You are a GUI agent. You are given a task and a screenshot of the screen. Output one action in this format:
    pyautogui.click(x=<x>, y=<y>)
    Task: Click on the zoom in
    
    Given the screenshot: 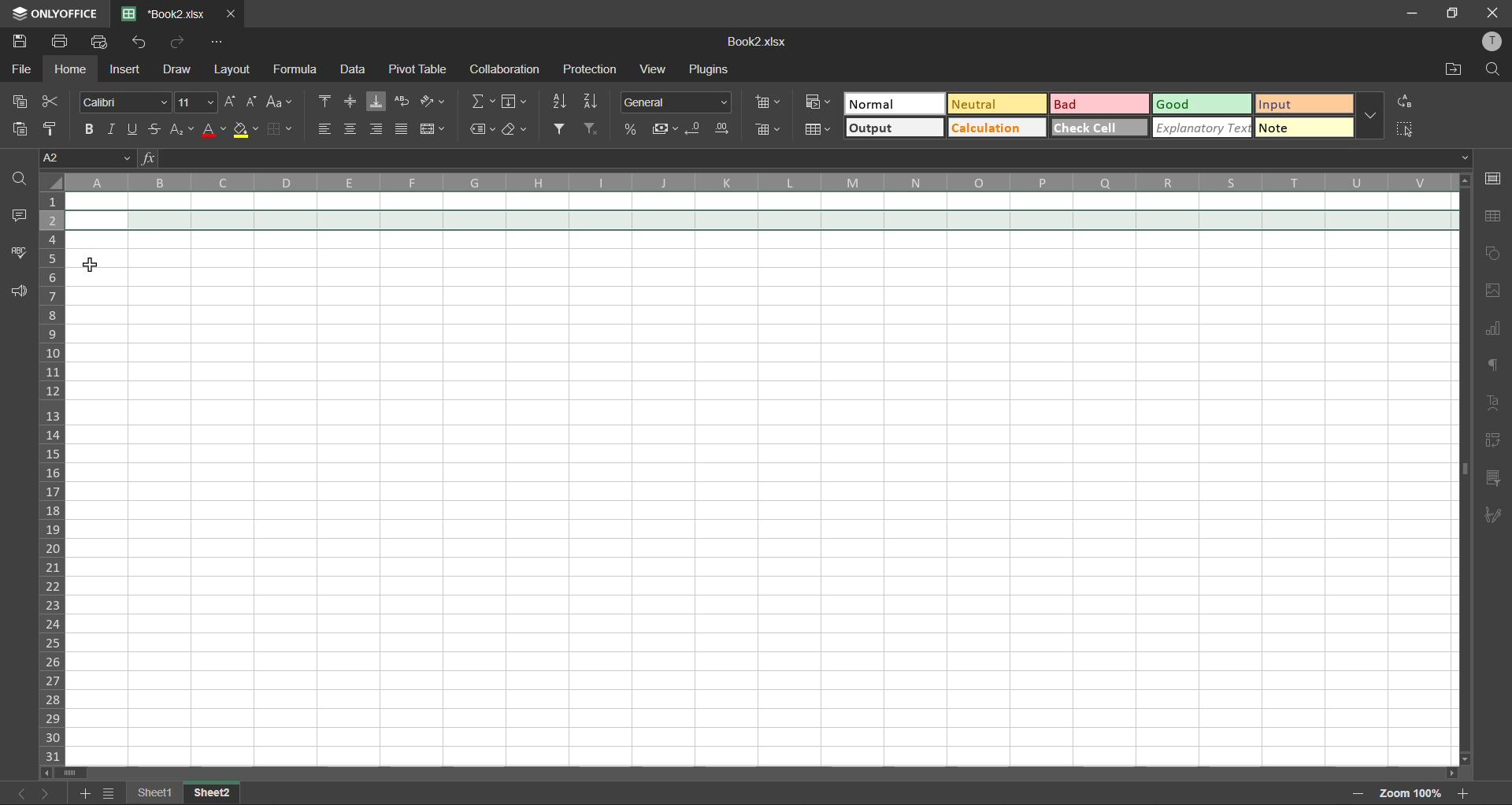 What is the action you would take?
    pyautogui.click(x=1462, y=792)
    